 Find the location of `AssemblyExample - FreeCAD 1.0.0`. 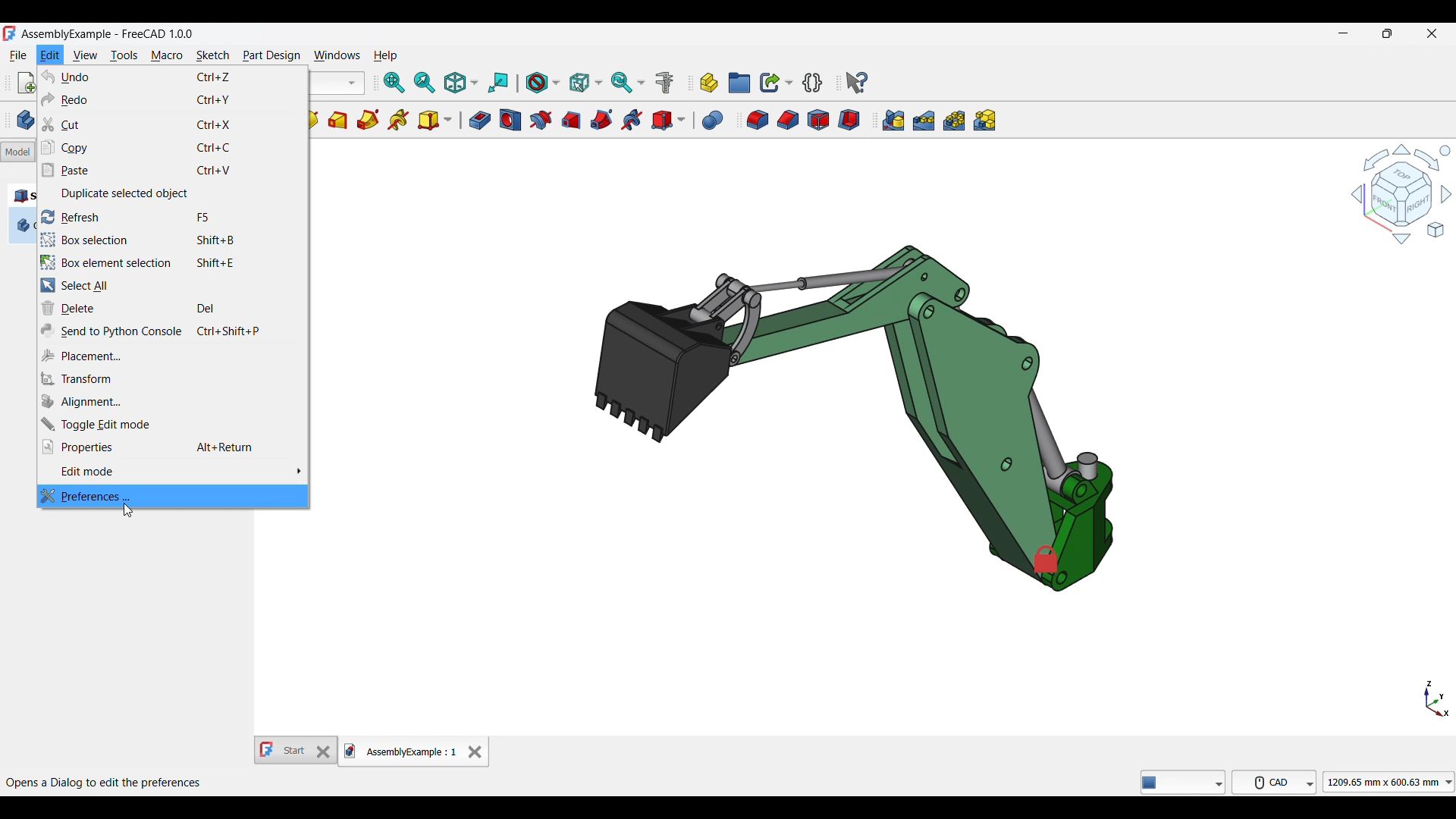

AssemblyExample - FreeCAD 1.0.0 is located at coordinates (107, 35).